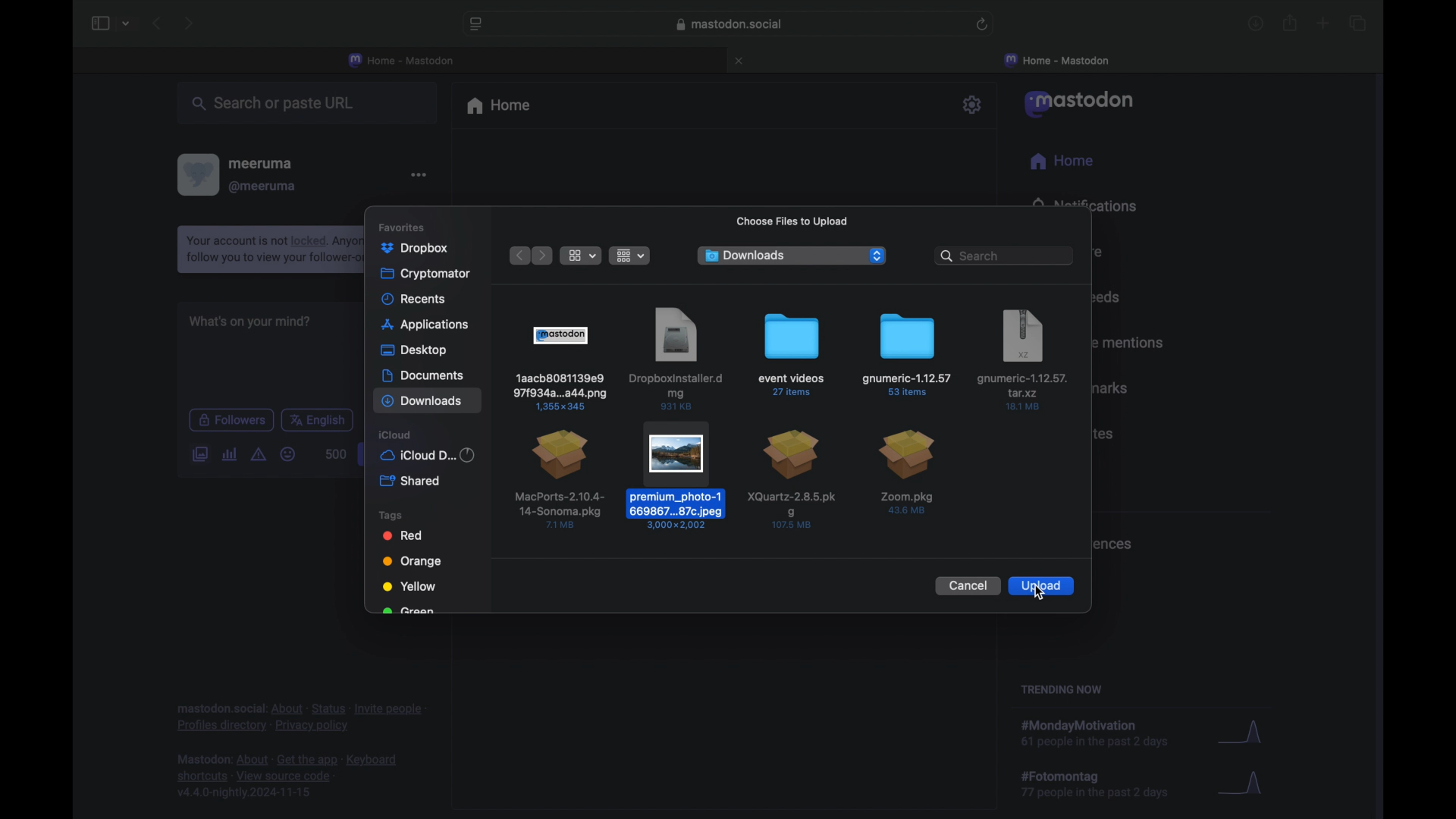 Image resolution: width=1456 pixels, height=819 pixels. What do you see at coordinates (414, 350) in the screenshot?
I see `desktop` at bounding box center [414, 350].